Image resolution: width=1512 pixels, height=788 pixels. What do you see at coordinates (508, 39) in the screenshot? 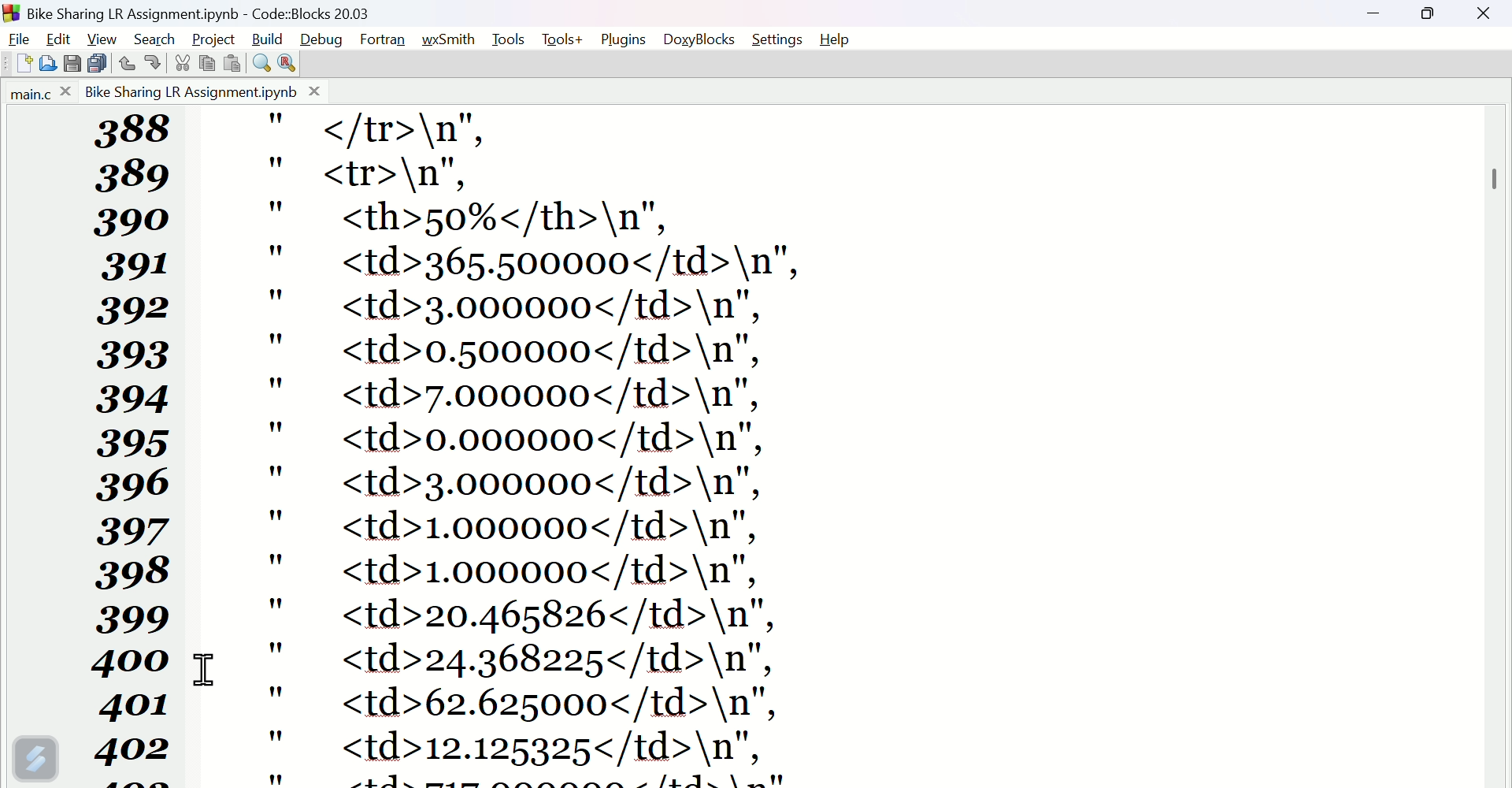
I see `Tools` at bounding box center [508, 39].